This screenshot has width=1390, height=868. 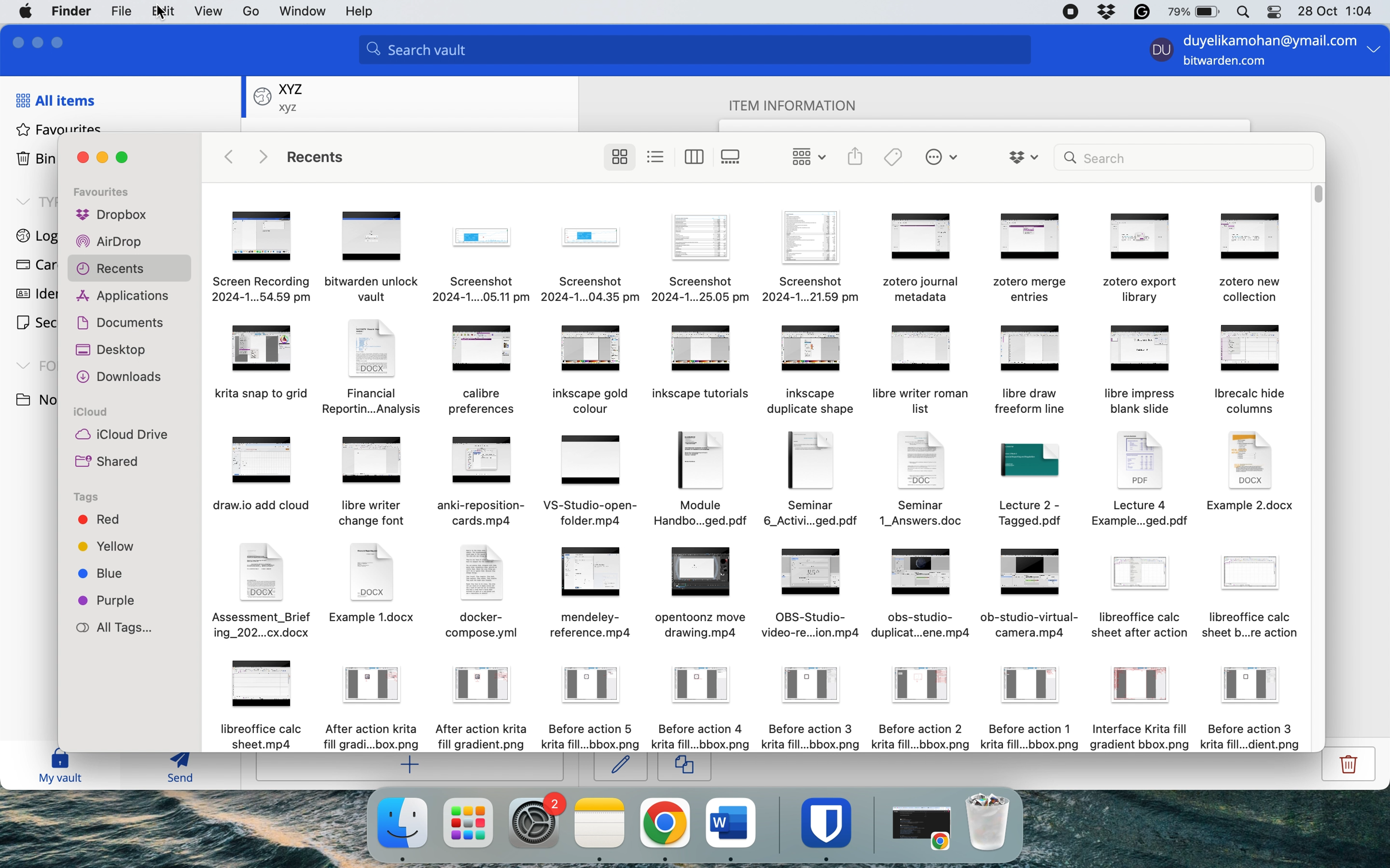 I want to click on show items as gallery, so click(x=734, y=157).